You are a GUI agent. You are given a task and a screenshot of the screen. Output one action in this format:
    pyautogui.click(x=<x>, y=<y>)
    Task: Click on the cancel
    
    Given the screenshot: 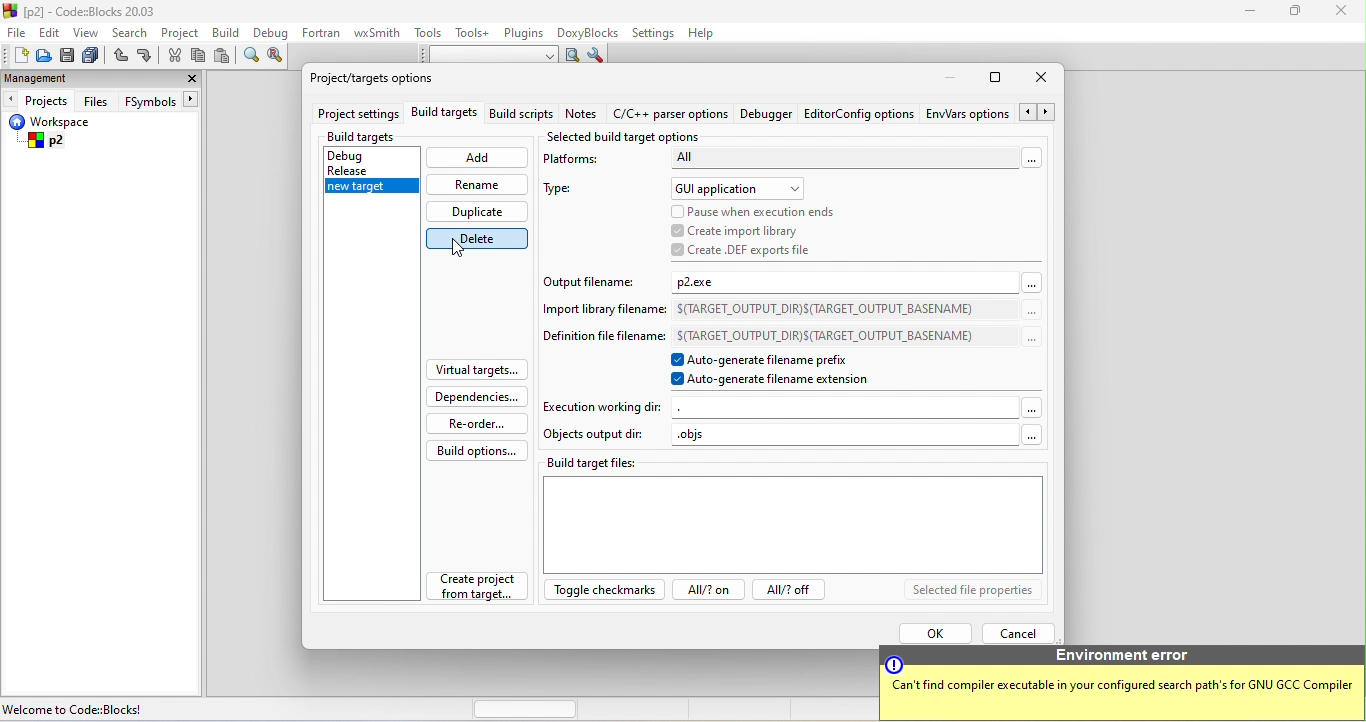 What is the action you would take?
    pyautogui.click(x=1020, y=633)
    